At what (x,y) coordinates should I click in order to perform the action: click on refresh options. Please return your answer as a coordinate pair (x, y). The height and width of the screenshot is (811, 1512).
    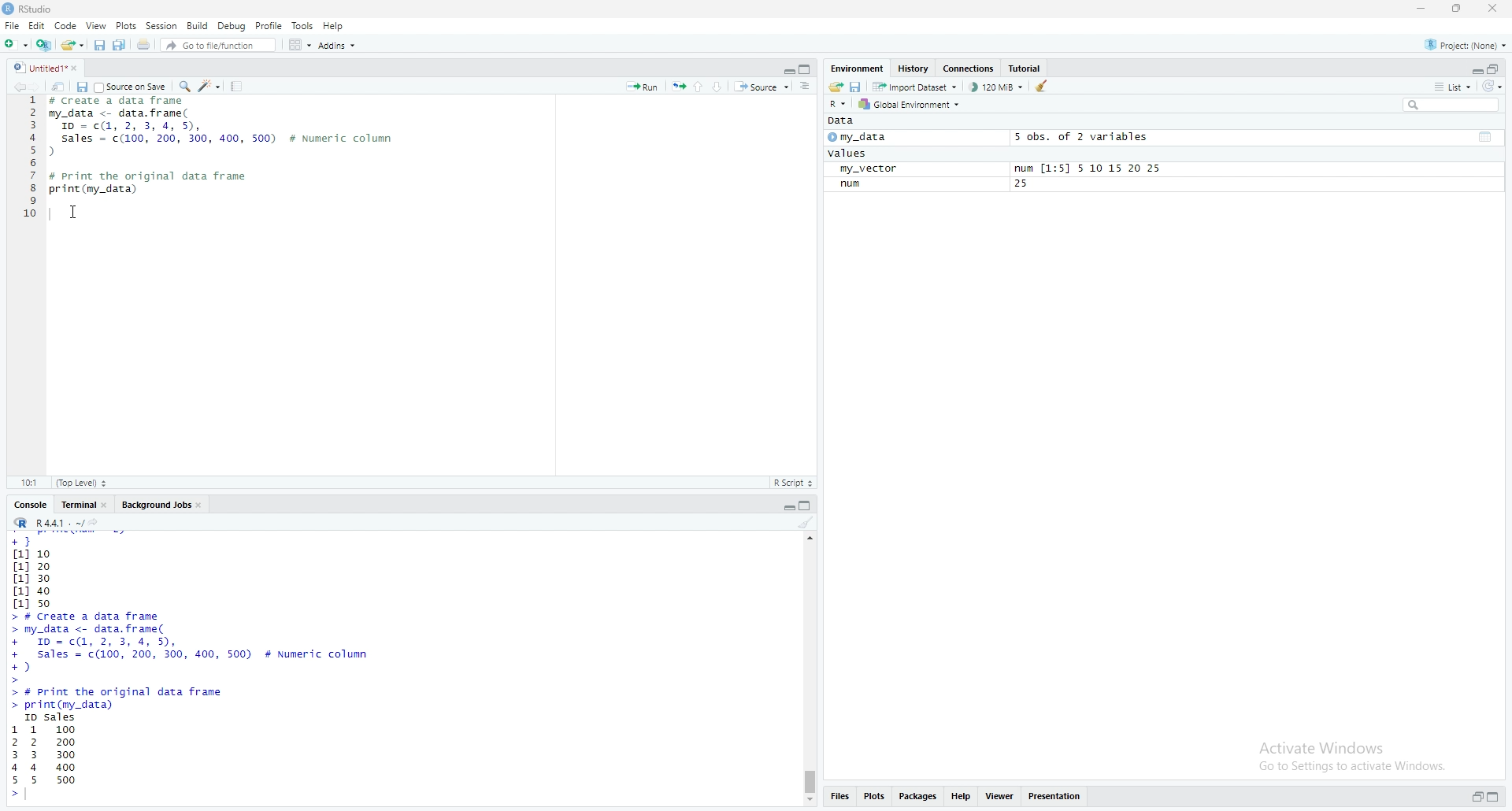
    Looking at the image, I should click on (1495, 89).